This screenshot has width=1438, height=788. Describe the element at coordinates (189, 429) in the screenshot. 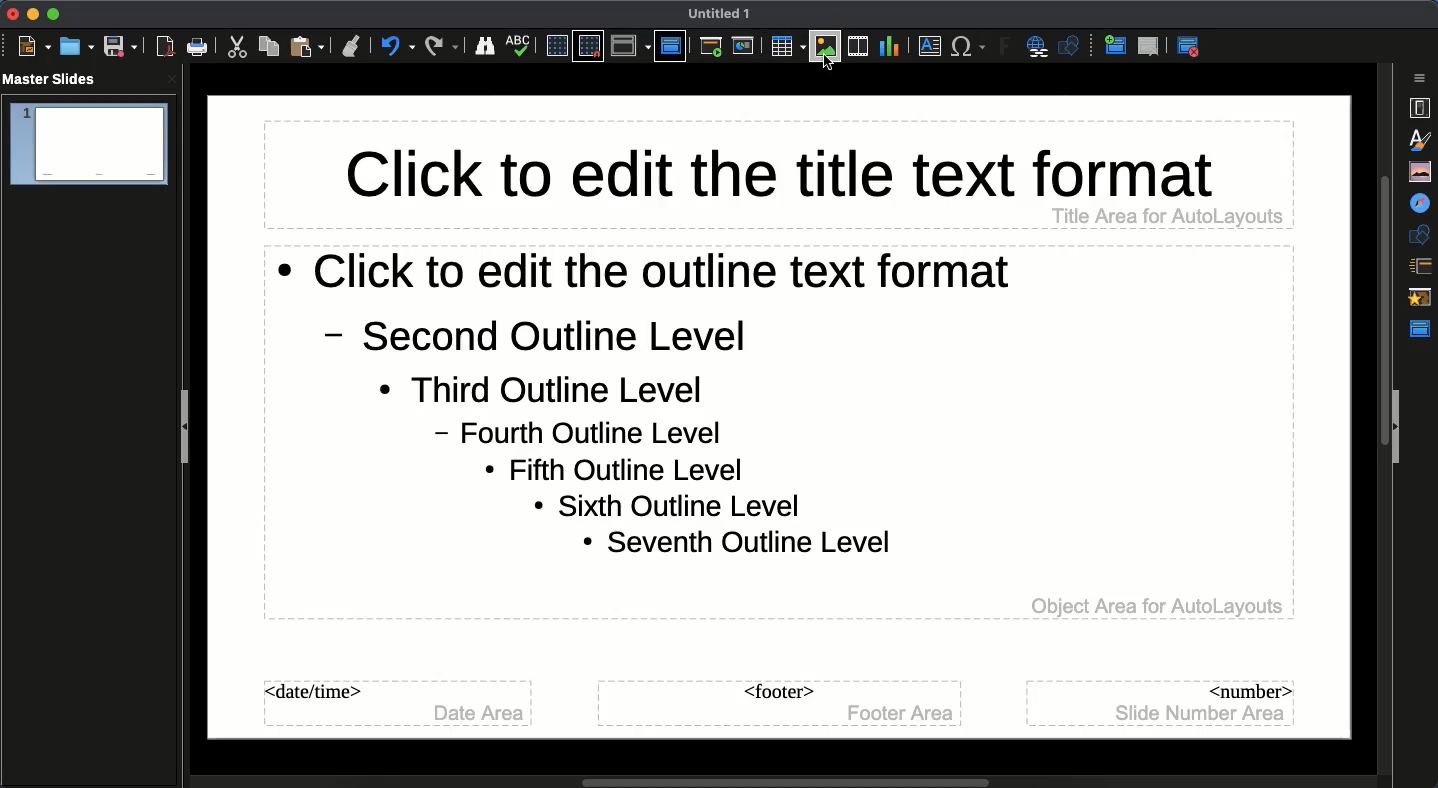

I see `Collapse` at that location.